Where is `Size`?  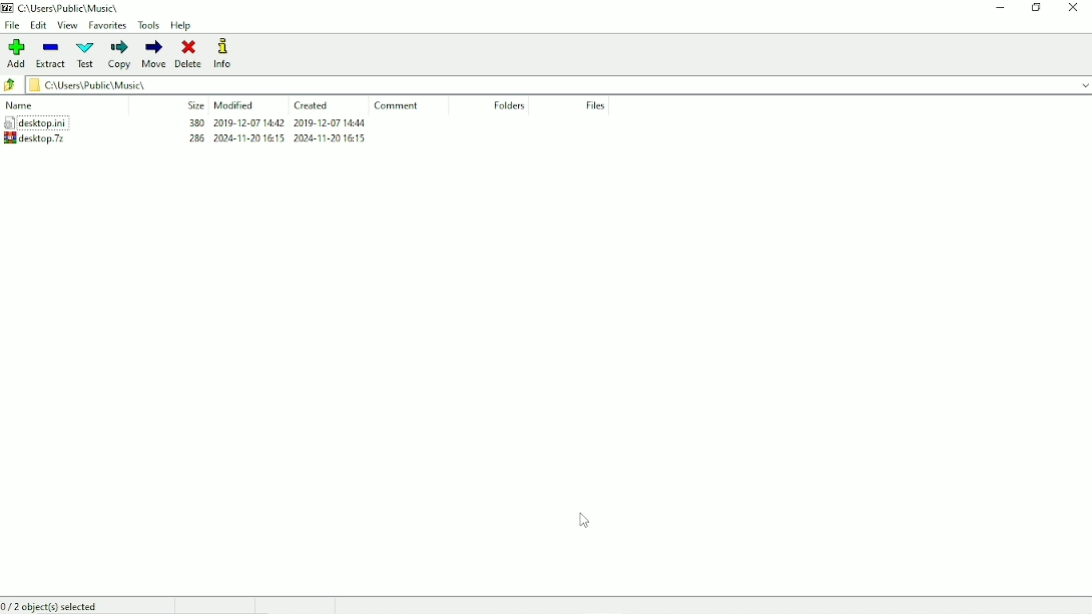
Size is located at coordinates (195, 105).